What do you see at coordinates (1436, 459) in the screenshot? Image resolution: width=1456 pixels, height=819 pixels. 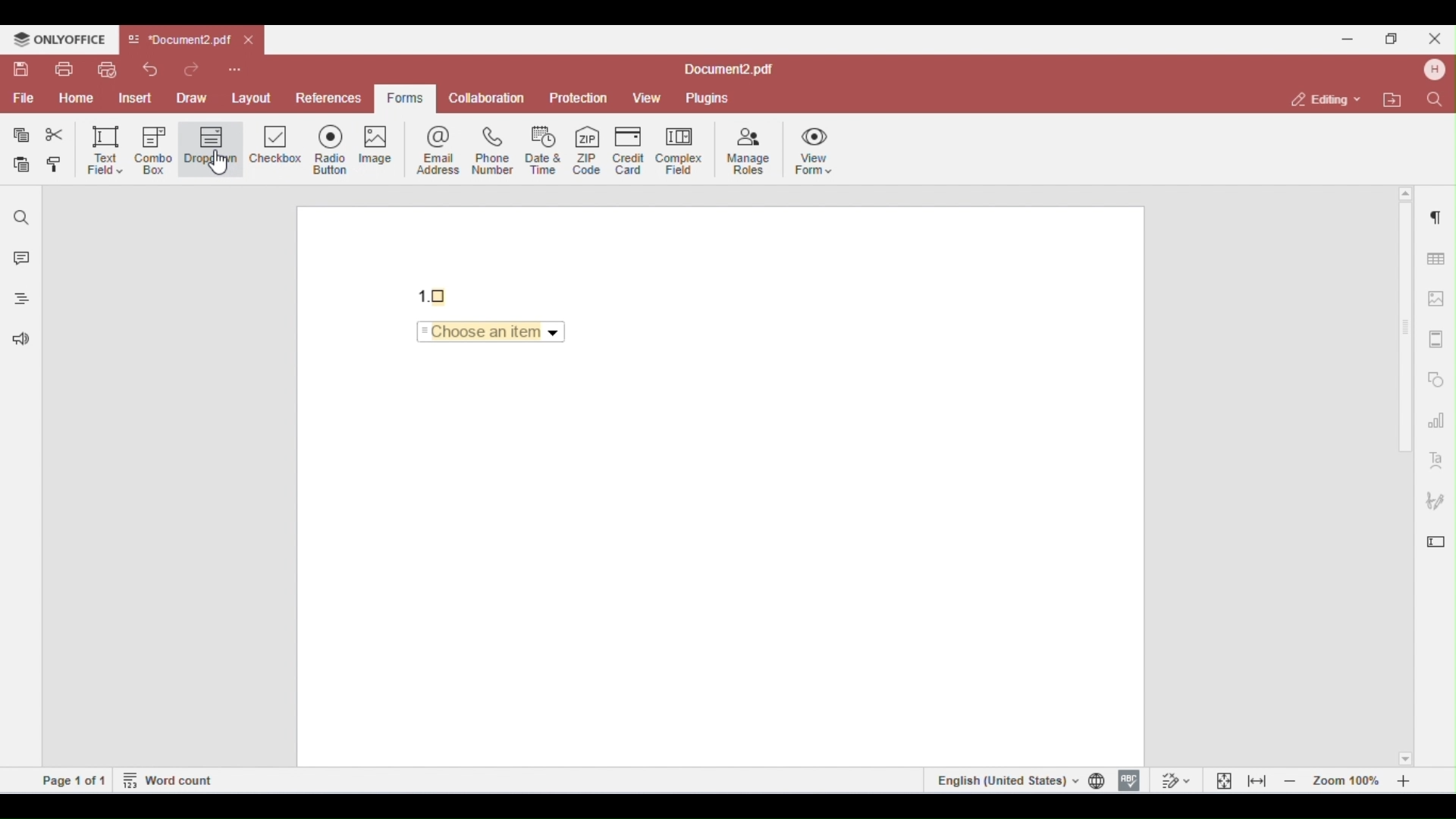 I see `text settings` at bounding box center [1436, 459].